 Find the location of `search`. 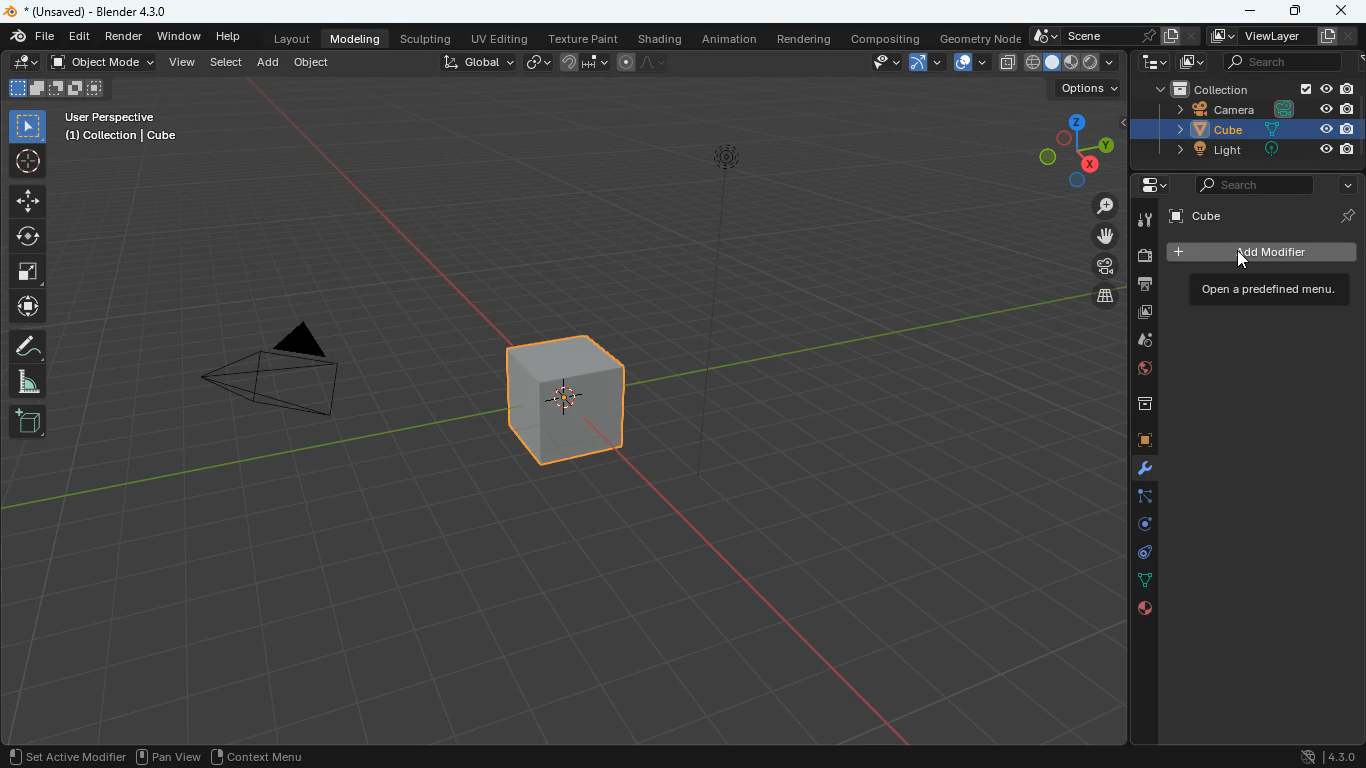

search is located at coordinates (1273, 62).